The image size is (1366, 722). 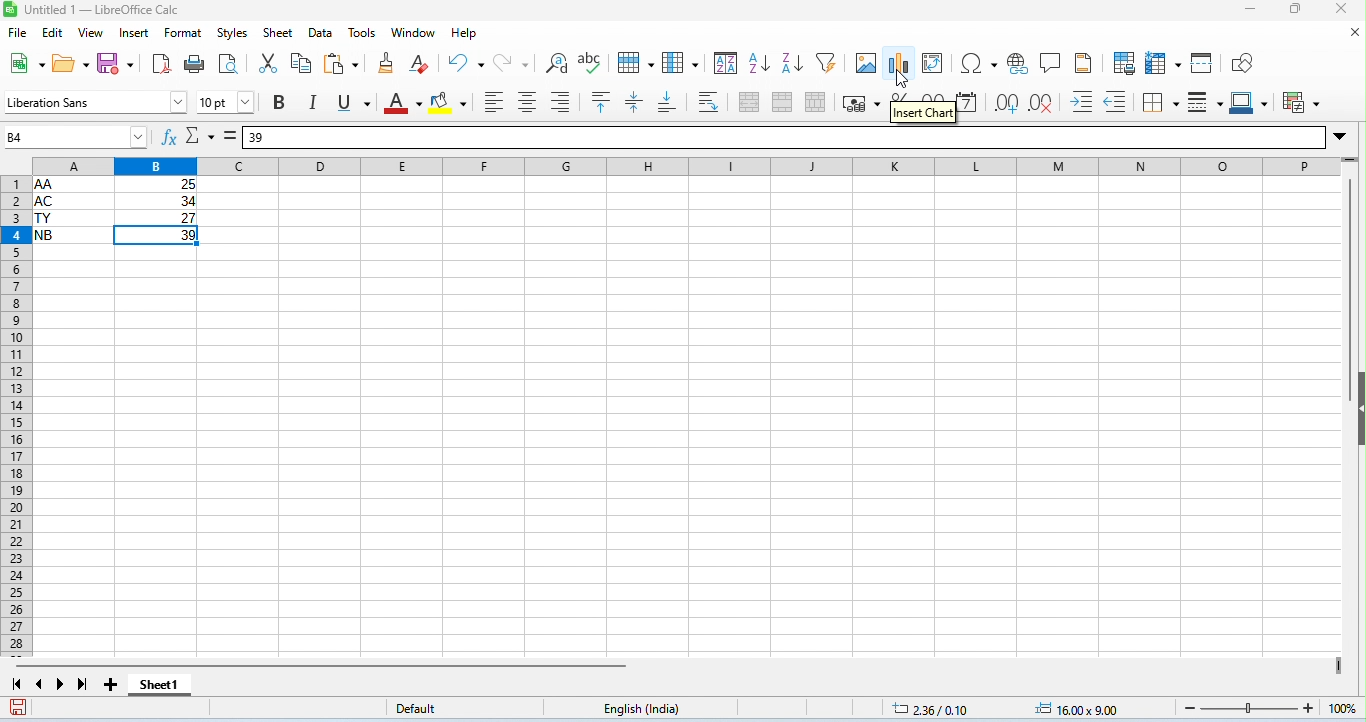 What do you see at coordinates (82, 684) in the screenshot?
I see `last sheet` at bounding box center [82, 684].